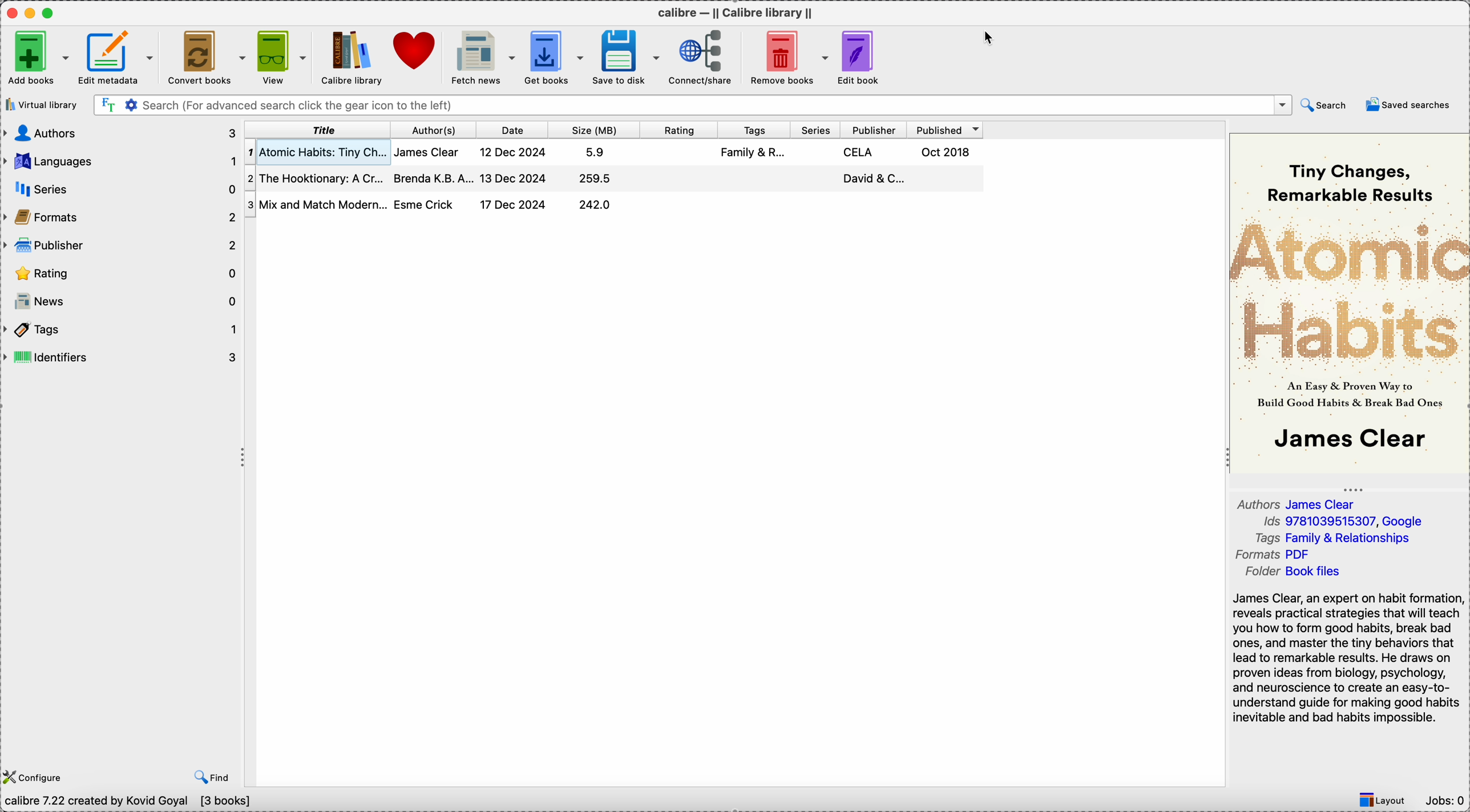  I want to click on find, so click(209, 775).